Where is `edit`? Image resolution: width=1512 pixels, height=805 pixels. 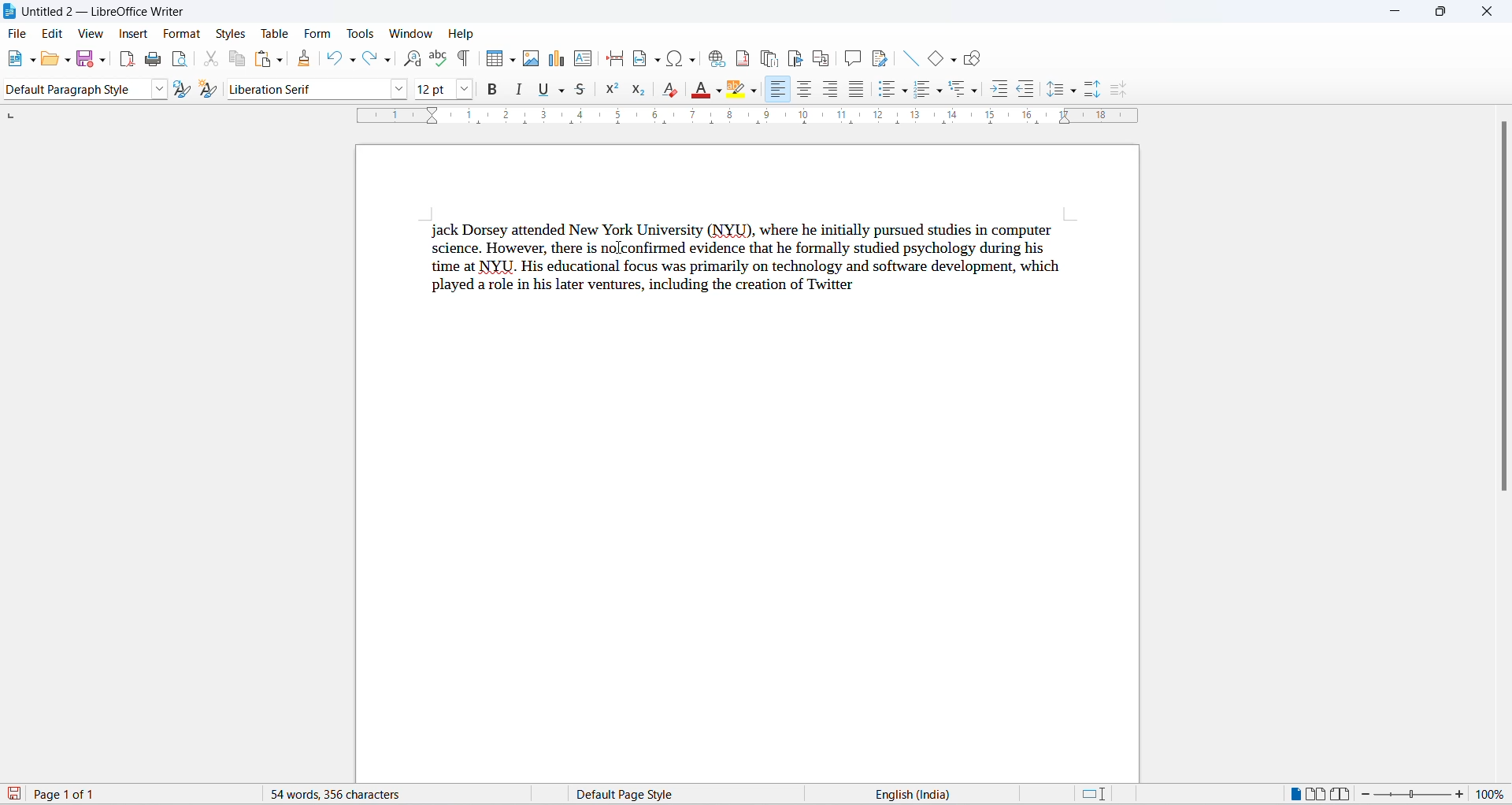
edit is located at coordinates (54, 34).